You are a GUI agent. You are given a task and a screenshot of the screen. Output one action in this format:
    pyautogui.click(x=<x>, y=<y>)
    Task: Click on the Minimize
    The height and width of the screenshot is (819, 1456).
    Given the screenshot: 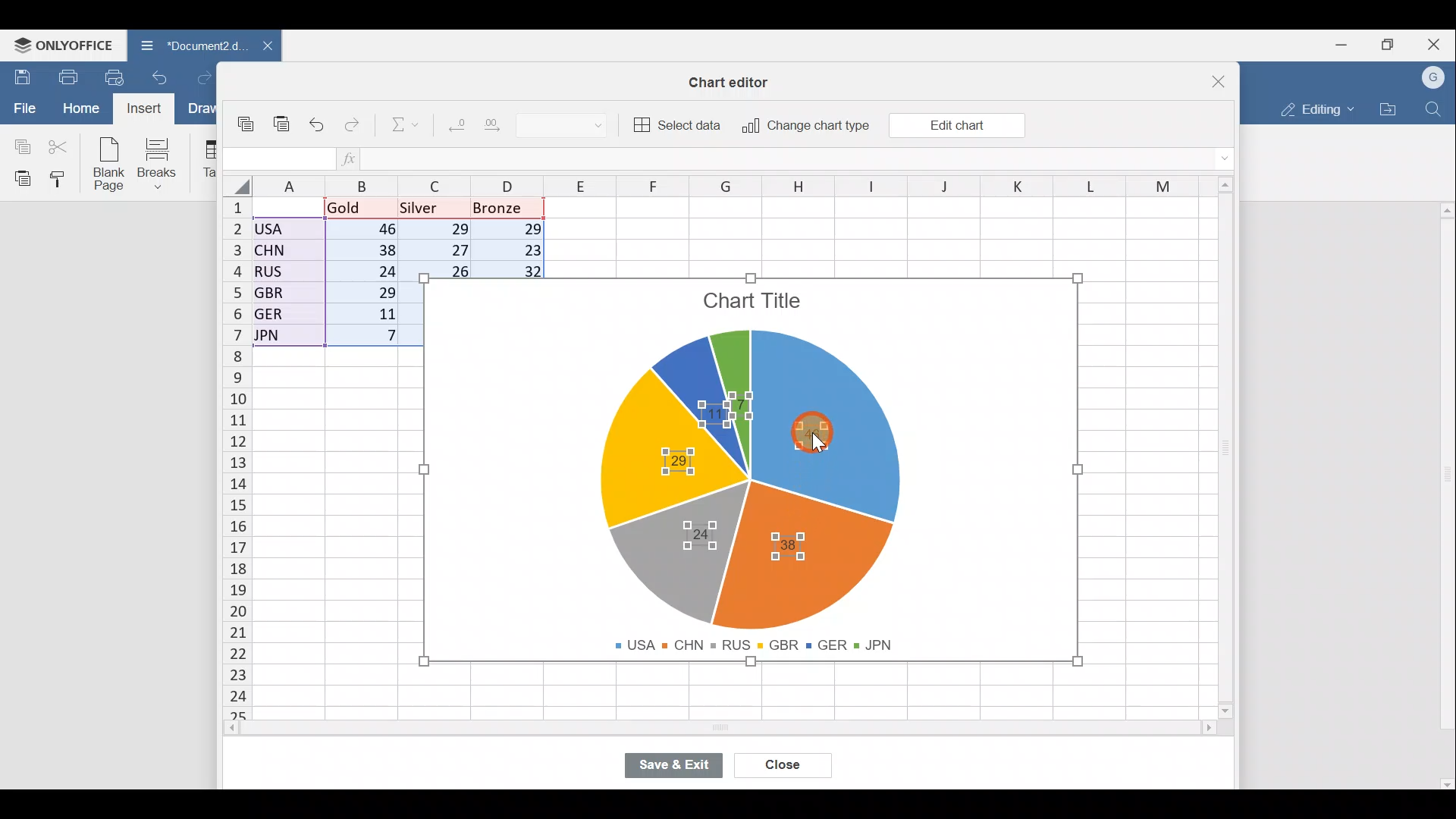 What is the action you would take?
    pyautogui.click(x=1347, y=43)
    